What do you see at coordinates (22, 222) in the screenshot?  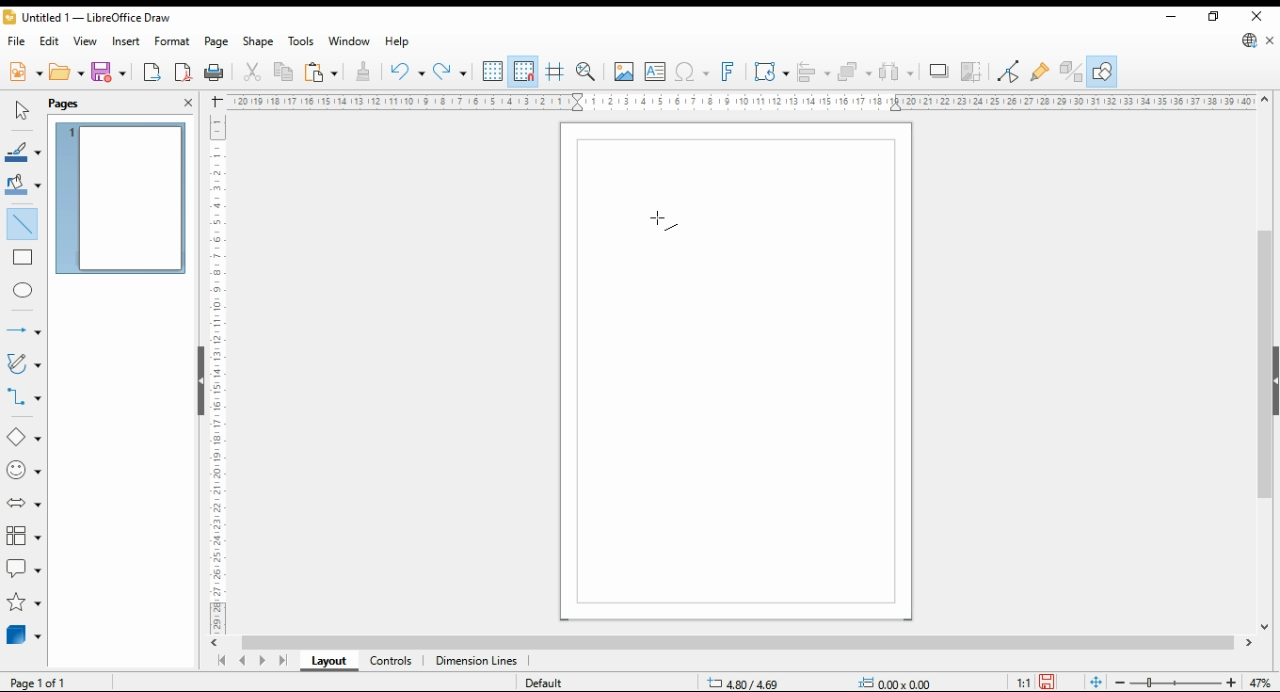 I see `insert line` at bounding box center [22, 222].